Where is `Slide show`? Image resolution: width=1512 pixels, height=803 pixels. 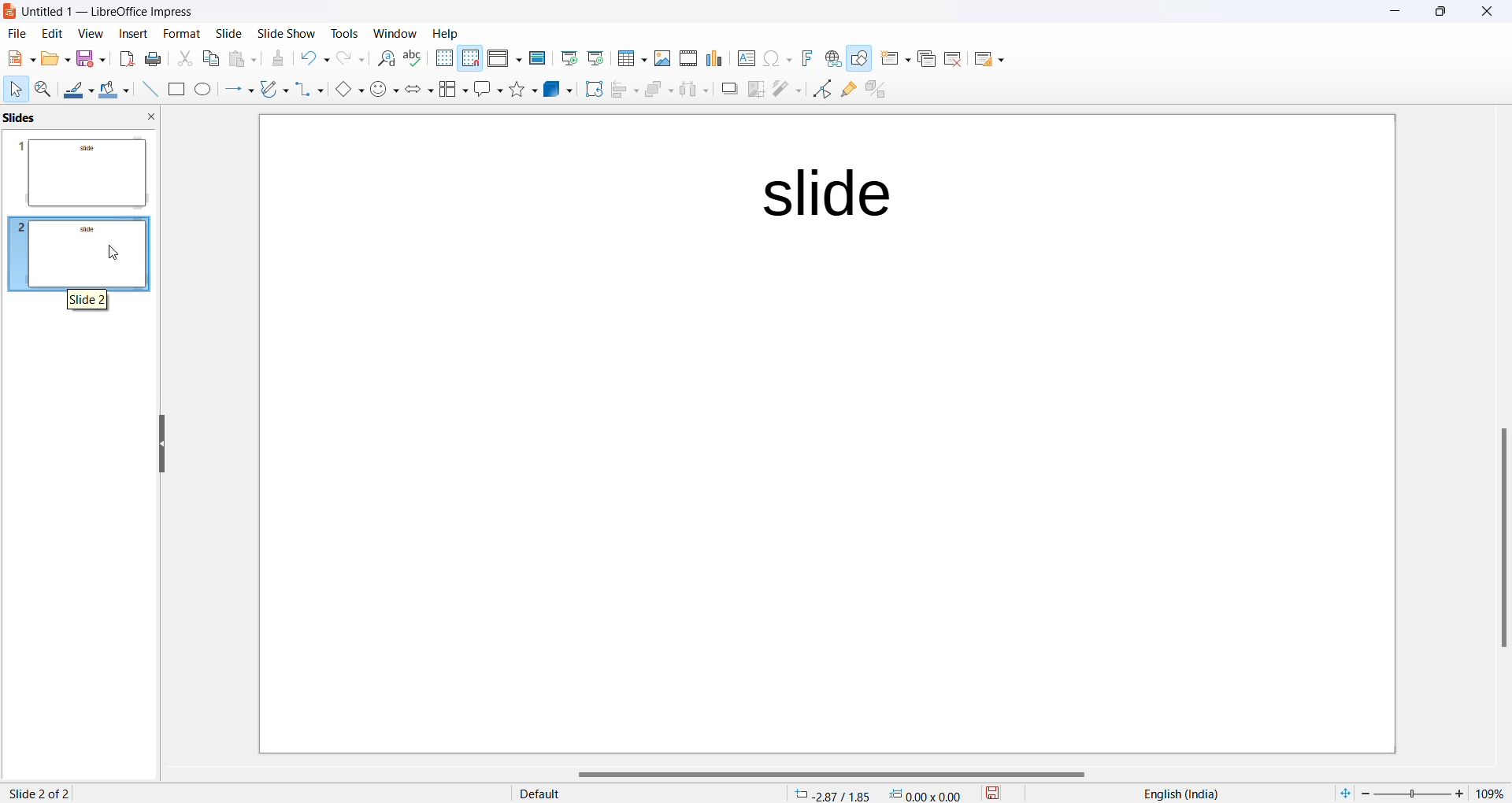
Slide show is located at coordinates (285, 31).